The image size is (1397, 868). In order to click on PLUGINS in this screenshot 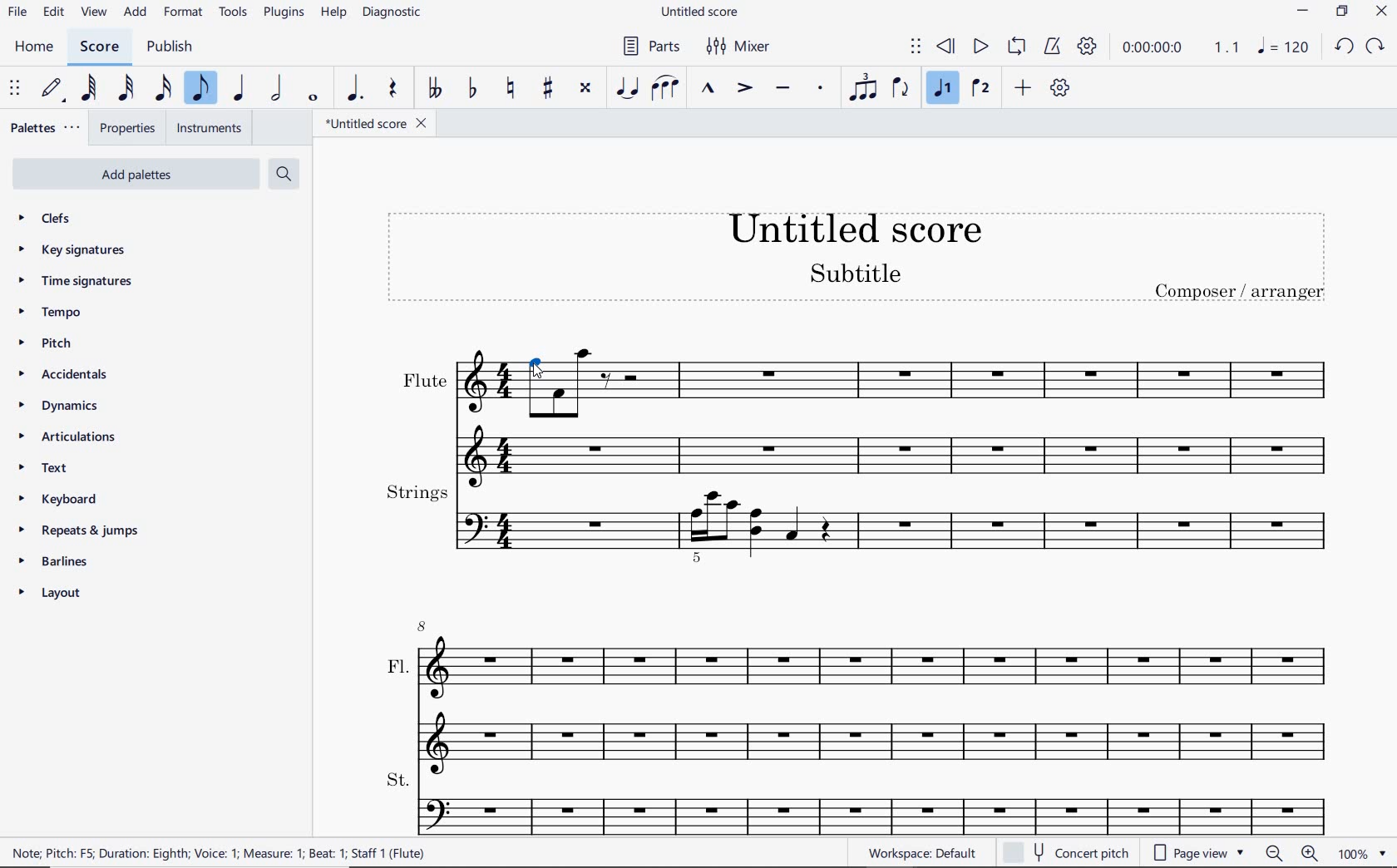, I will do `click(285, 14)`.